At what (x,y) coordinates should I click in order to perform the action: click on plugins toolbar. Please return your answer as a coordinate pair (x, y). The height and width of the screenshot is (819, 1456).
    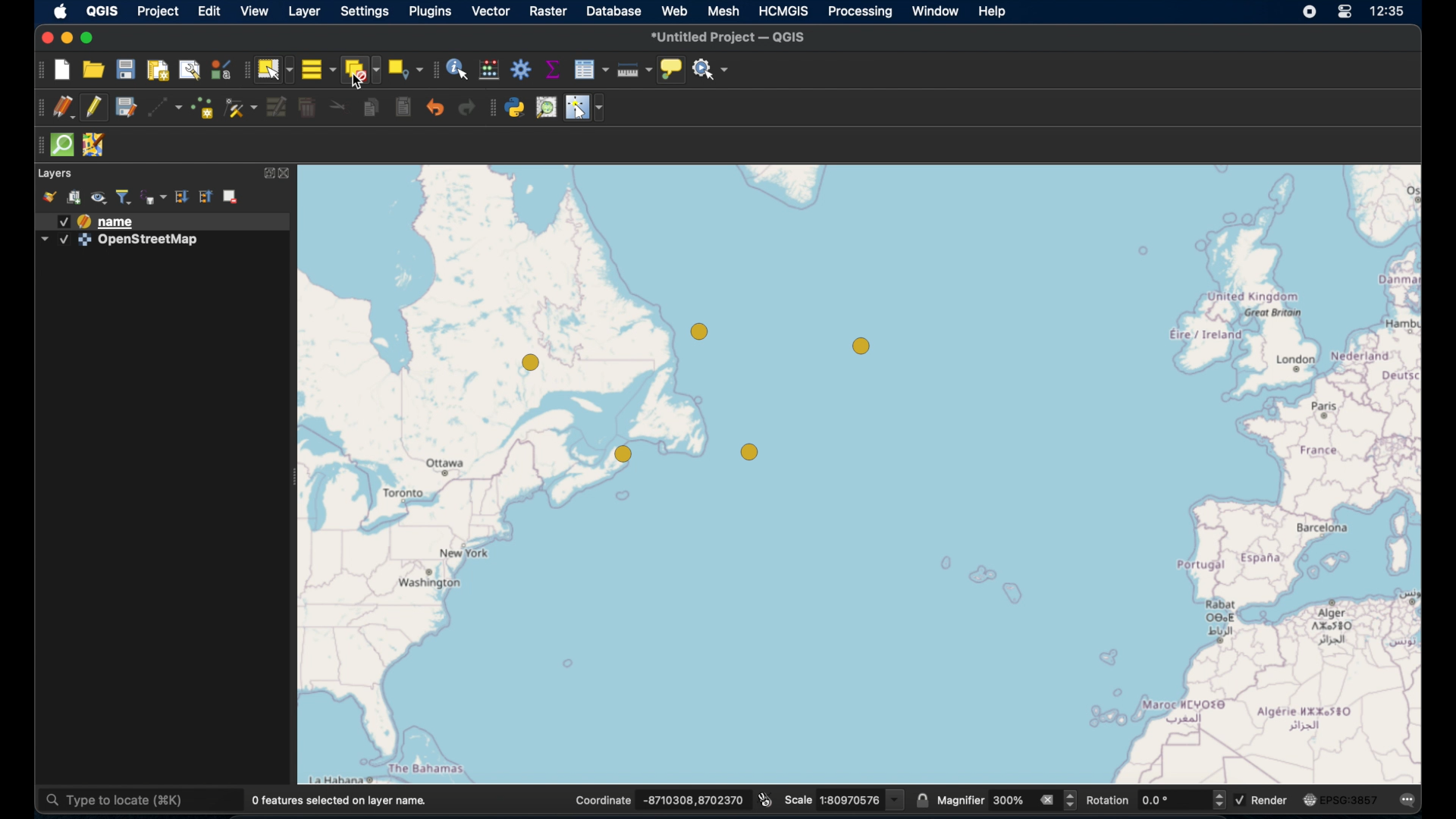
    Looking at the image, I should click on (493, 109).